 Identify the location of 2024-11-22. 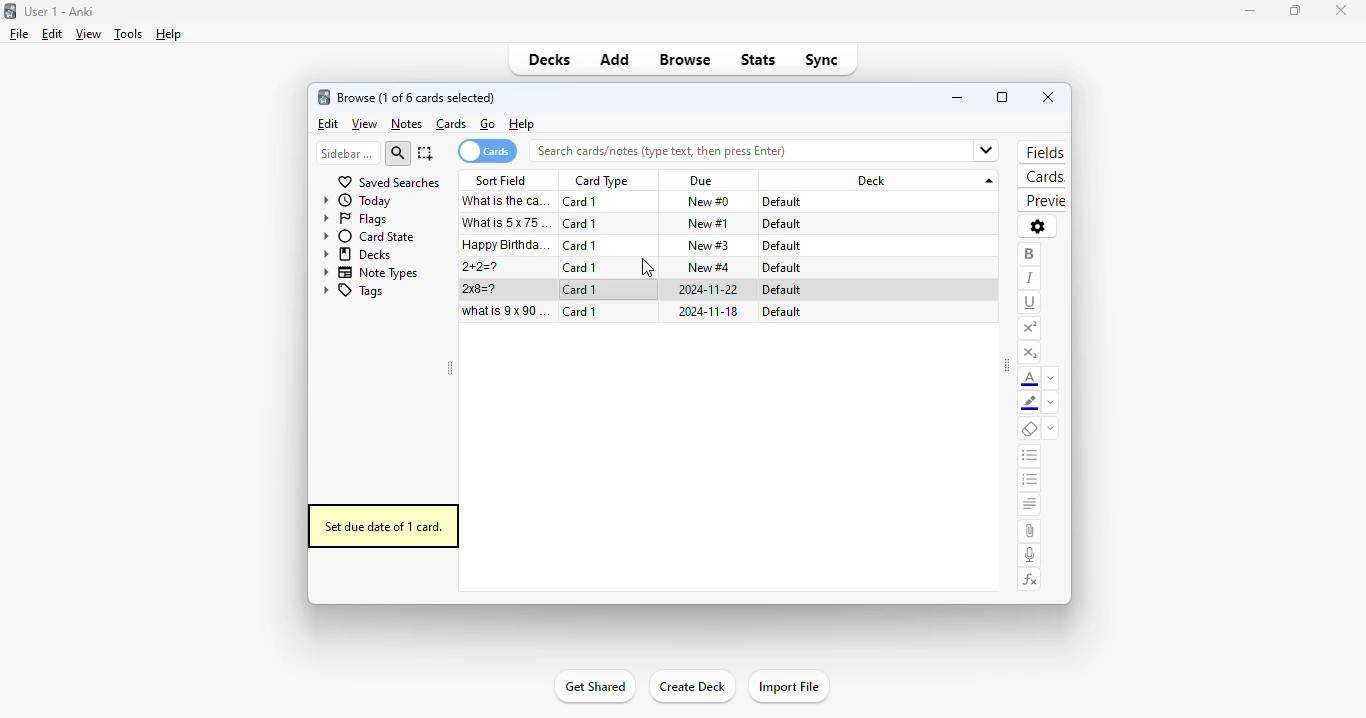
(710, 289).